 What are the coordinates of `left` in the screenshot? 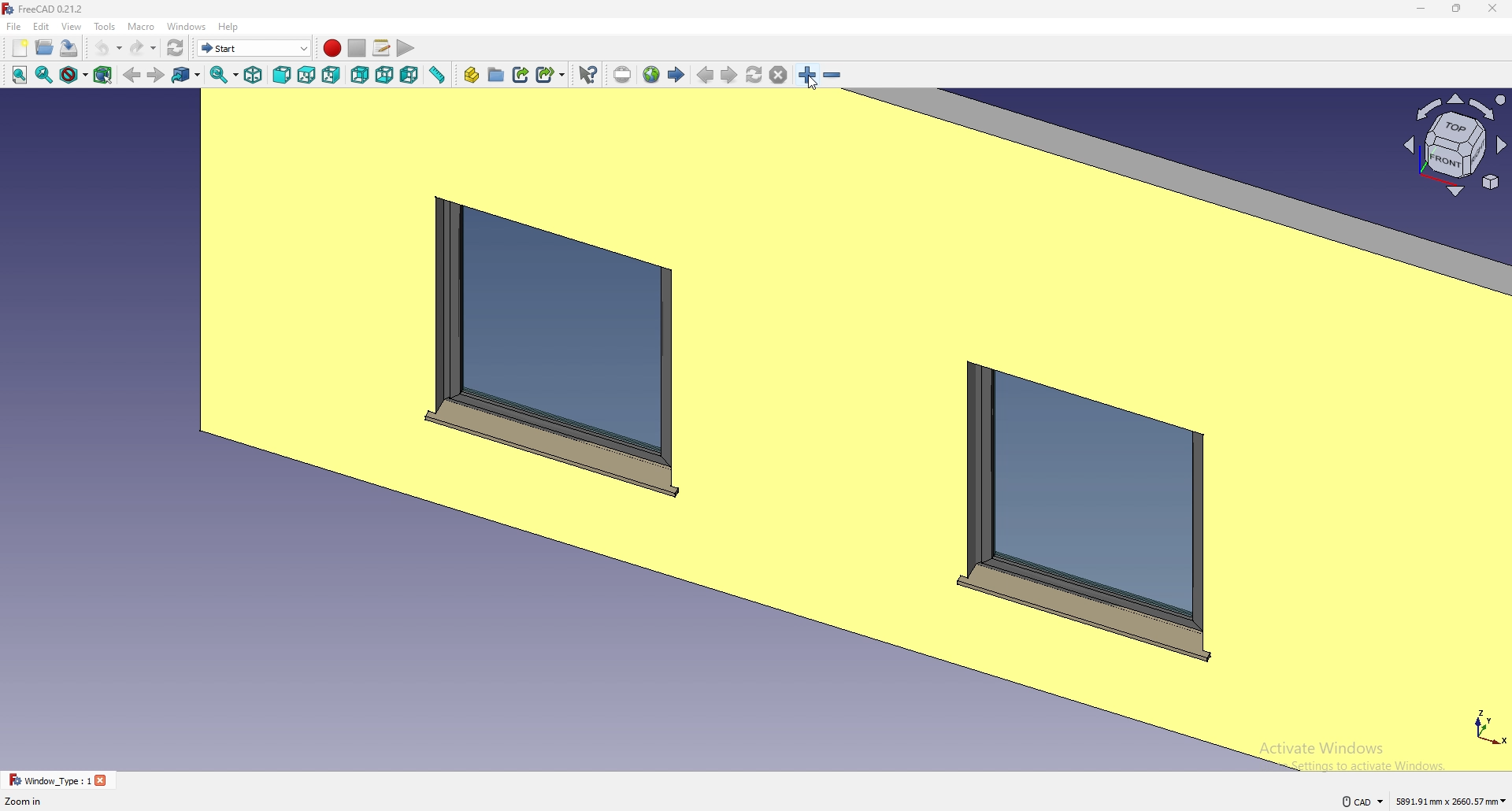 It's located at (409, 75).